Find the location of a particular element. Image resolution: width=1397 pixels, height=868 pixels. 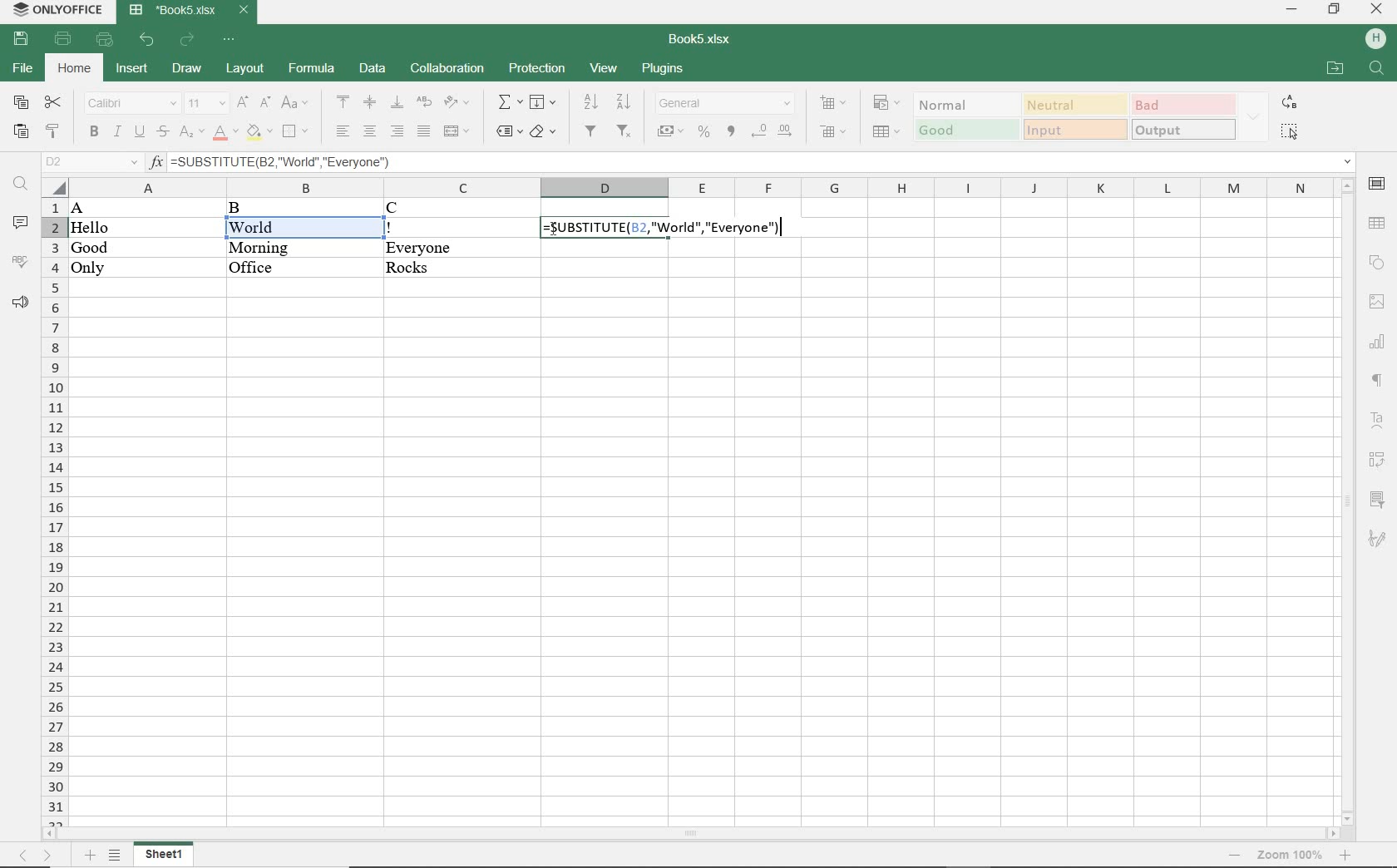

scrollbar is located at coordinates (693, 832).